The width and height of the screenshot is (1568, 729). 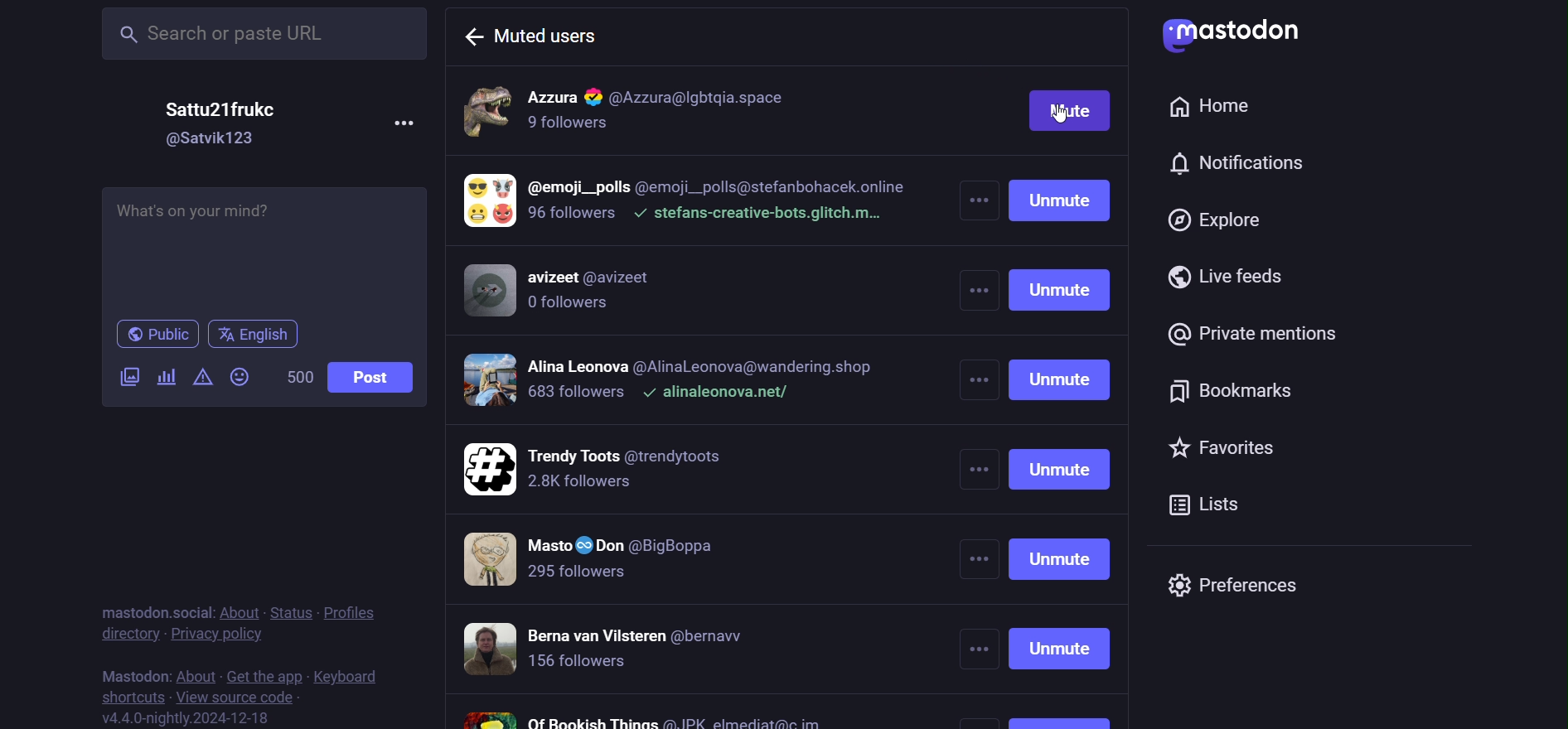 What do you see at coordinates (131, 697) in the screenshot?
I see `shortcut` at bounding box center [131, 697].